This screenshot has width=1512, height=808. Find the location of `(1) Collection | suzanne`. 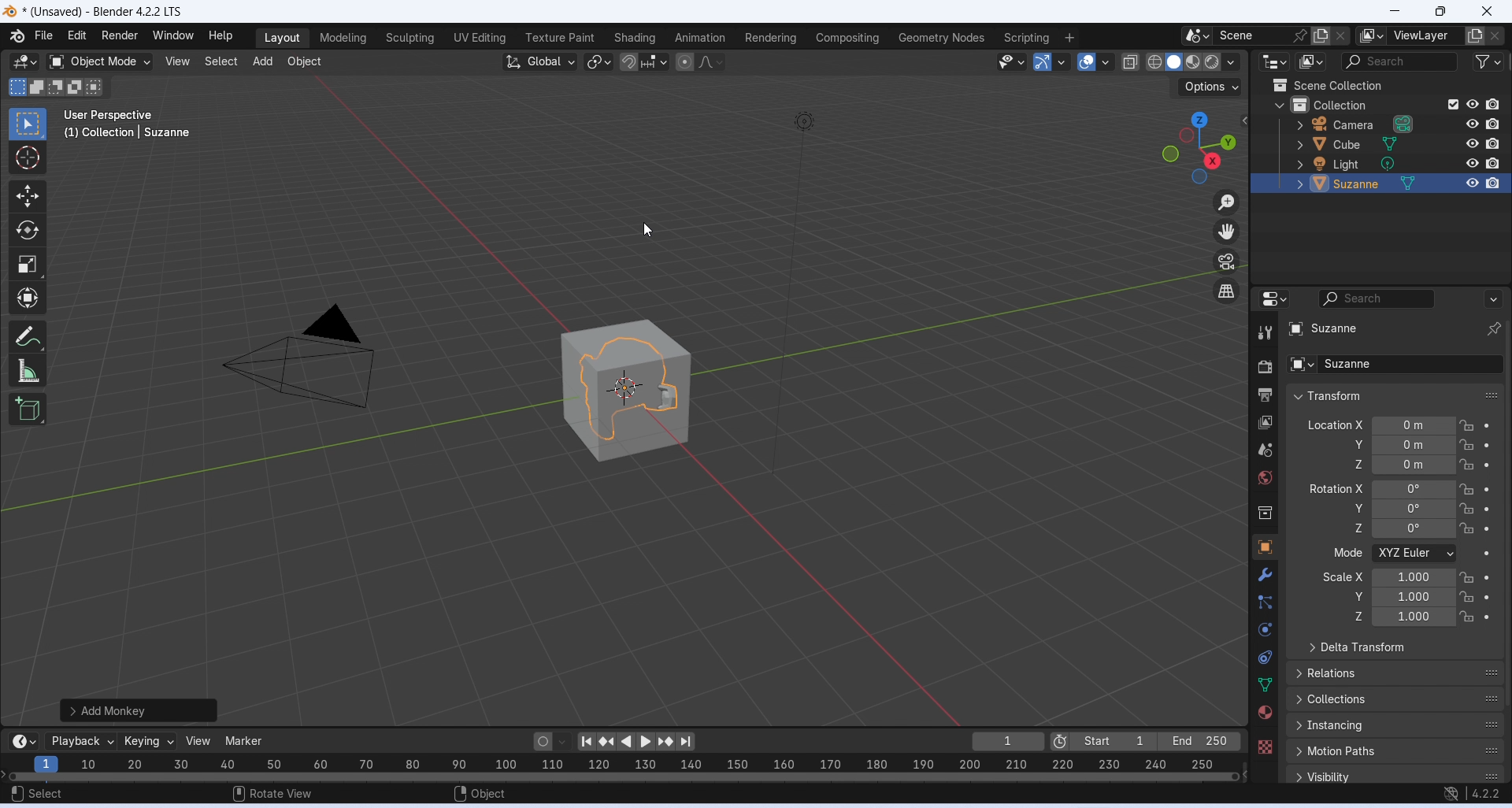

(1) Collection | suzanne is located at coordinates (129, 132).